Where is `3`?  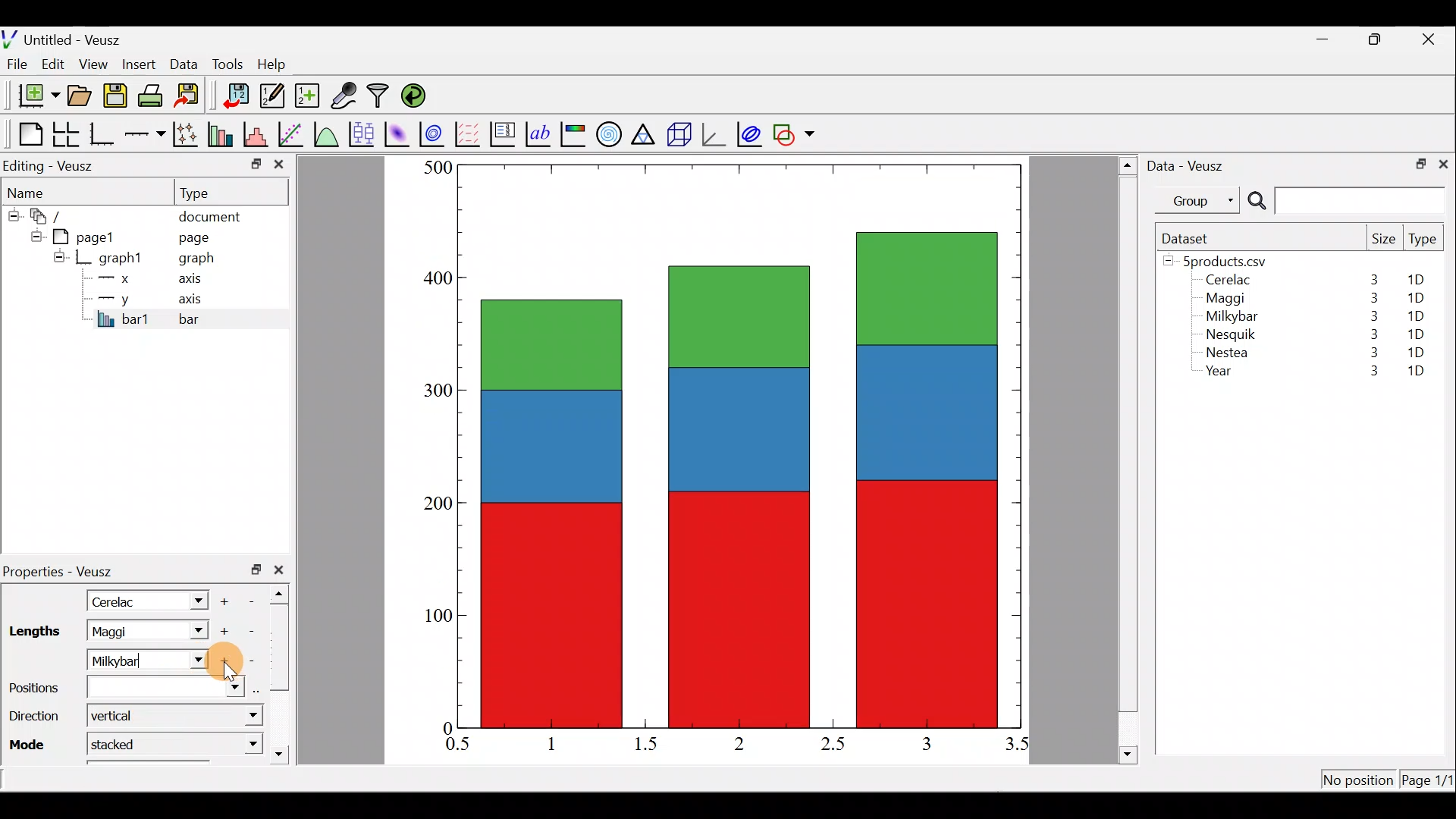
3 is located at coordinates (925, 743).